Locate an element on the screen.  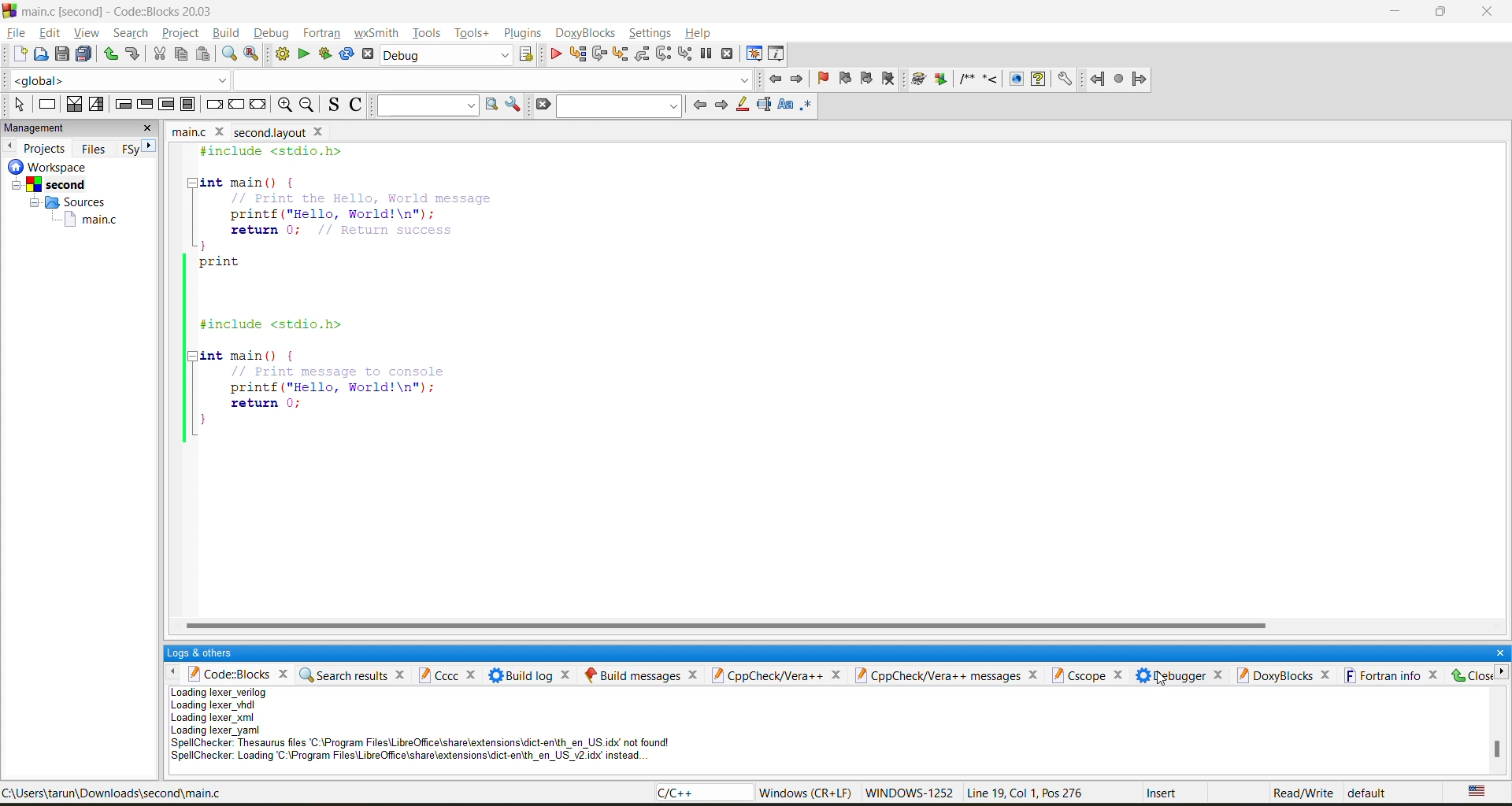
cut is located at coordinates (161, 55).